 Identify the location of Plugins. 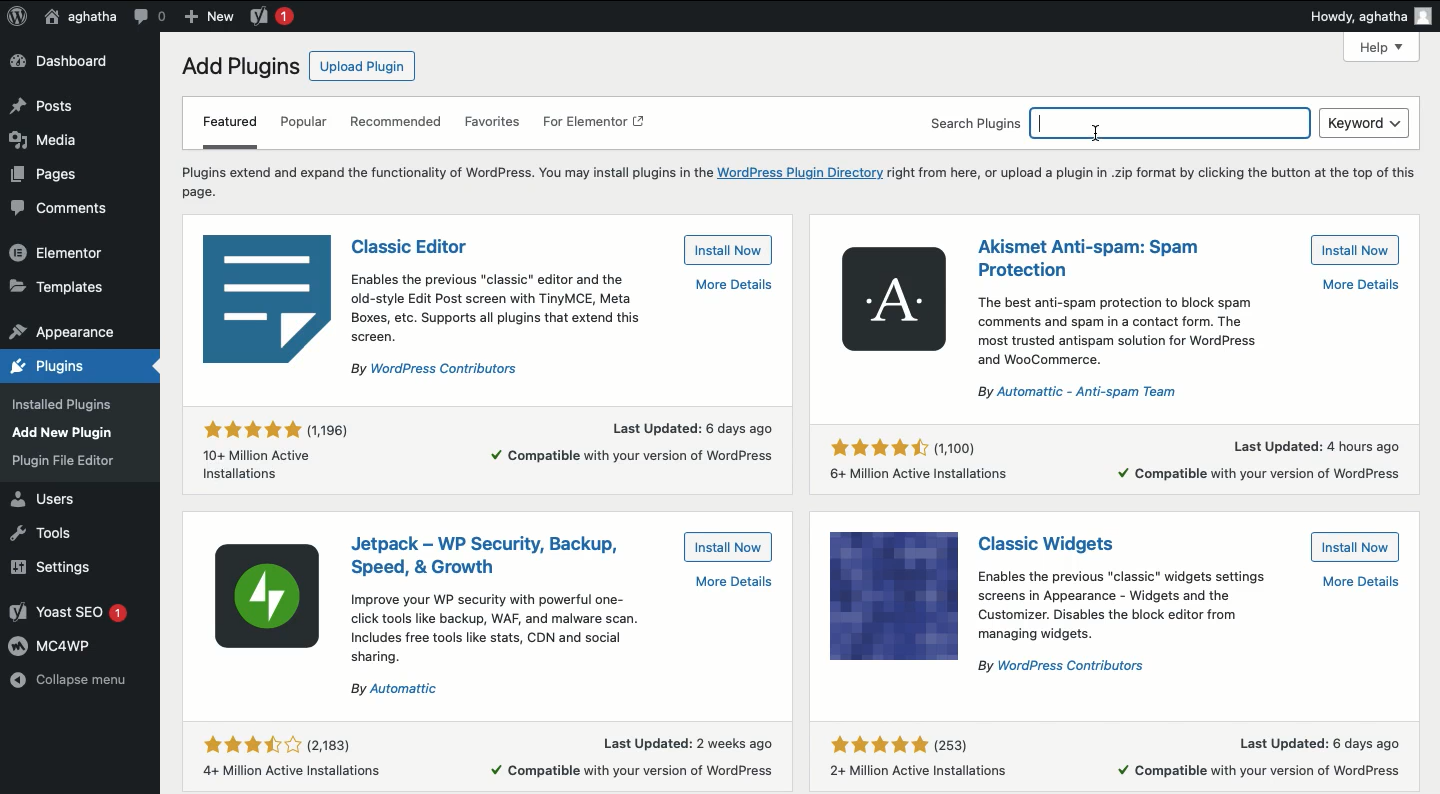
(59, 463).